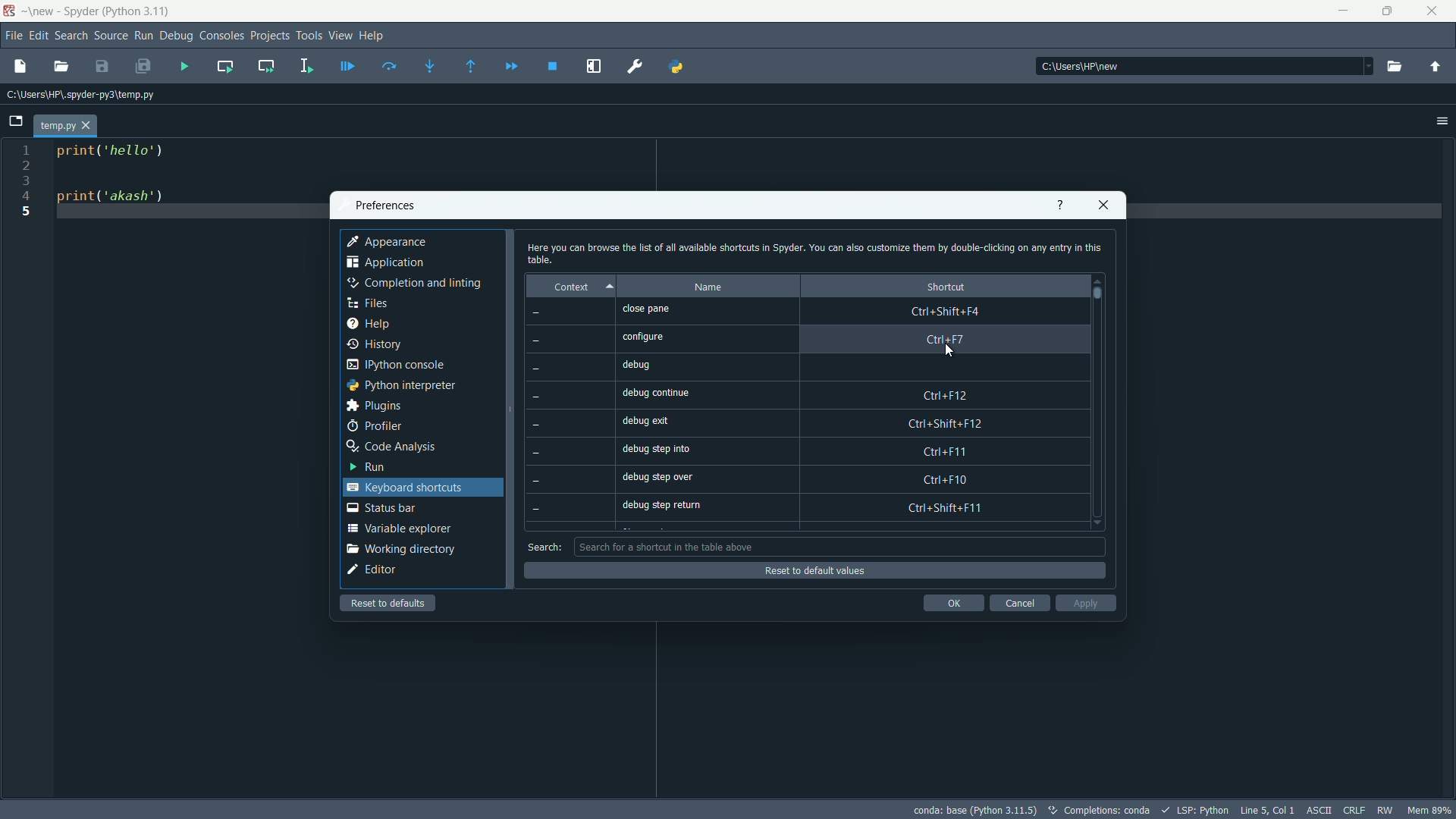 This screenshot has height=819, width=1456. What do you see at coordinates (112, 36) in the screenshot?
I see `source menu` at bounding box center [112, 36].